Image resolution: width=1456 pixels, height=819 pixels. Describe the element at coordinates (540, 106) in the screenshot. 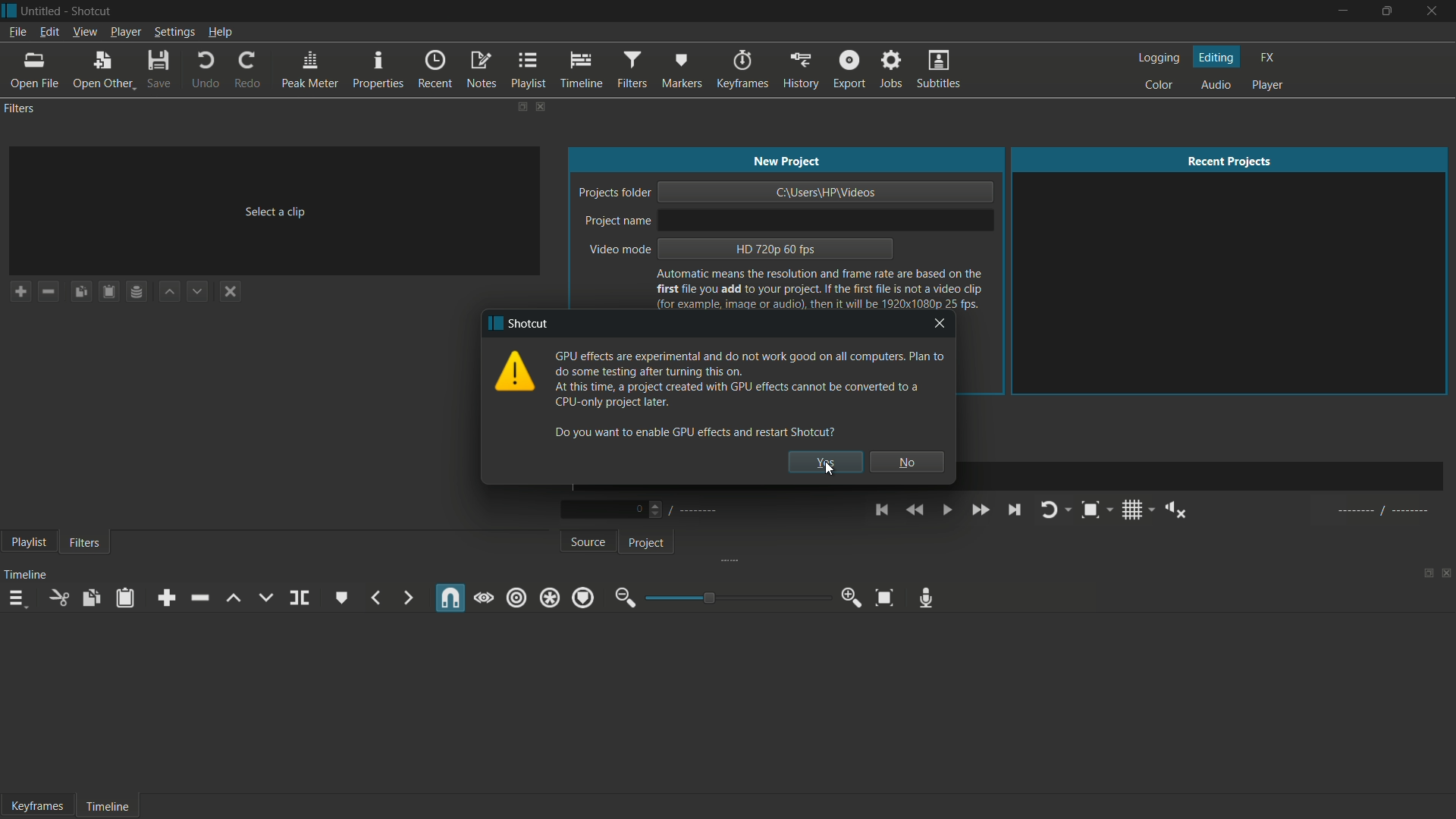

I see `close filters` at that location.